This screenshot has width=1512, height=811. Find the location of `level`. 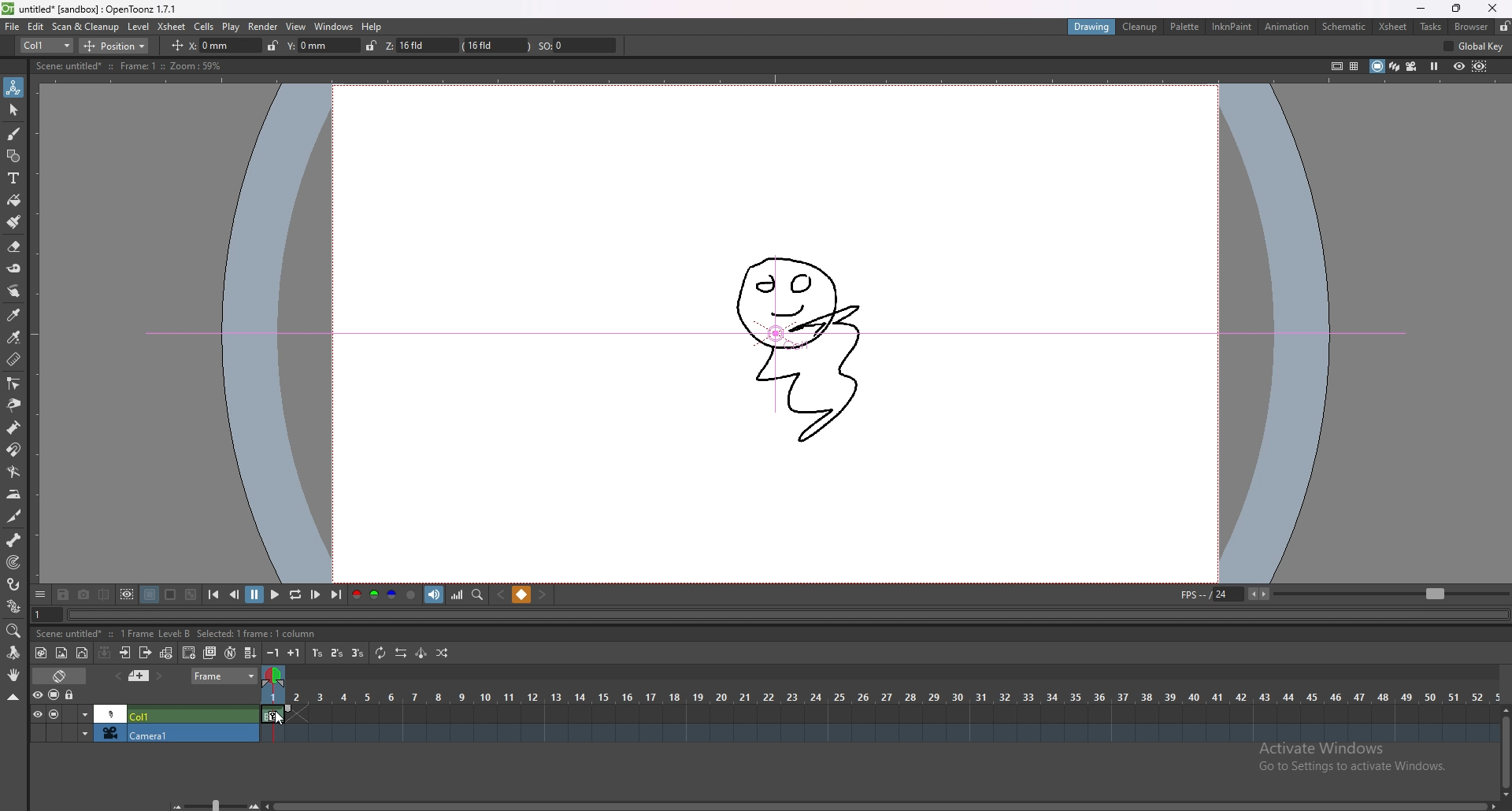

level is located at coordinates (138, 27).